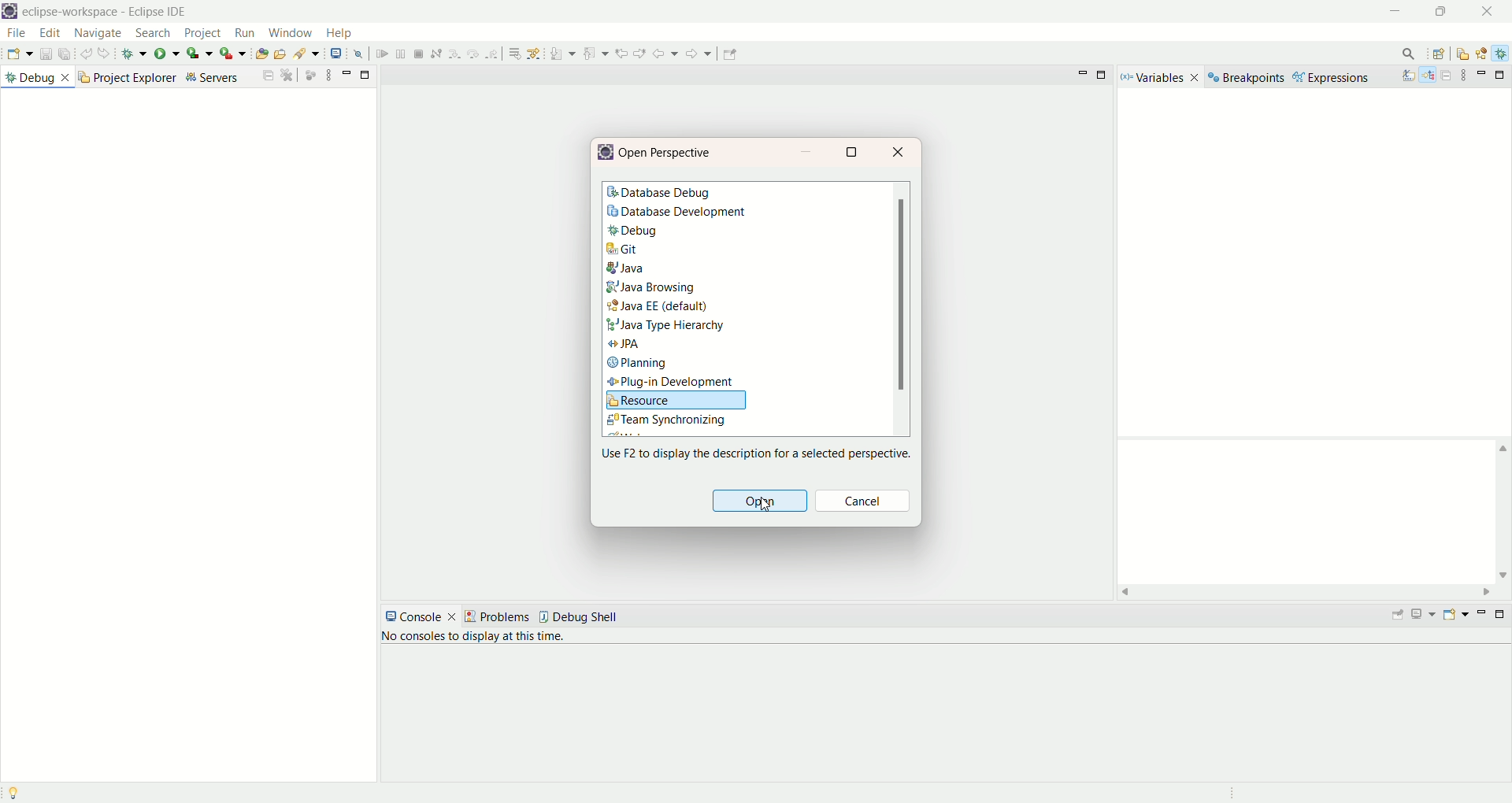  I want to click on variables, so click(1160, 76).